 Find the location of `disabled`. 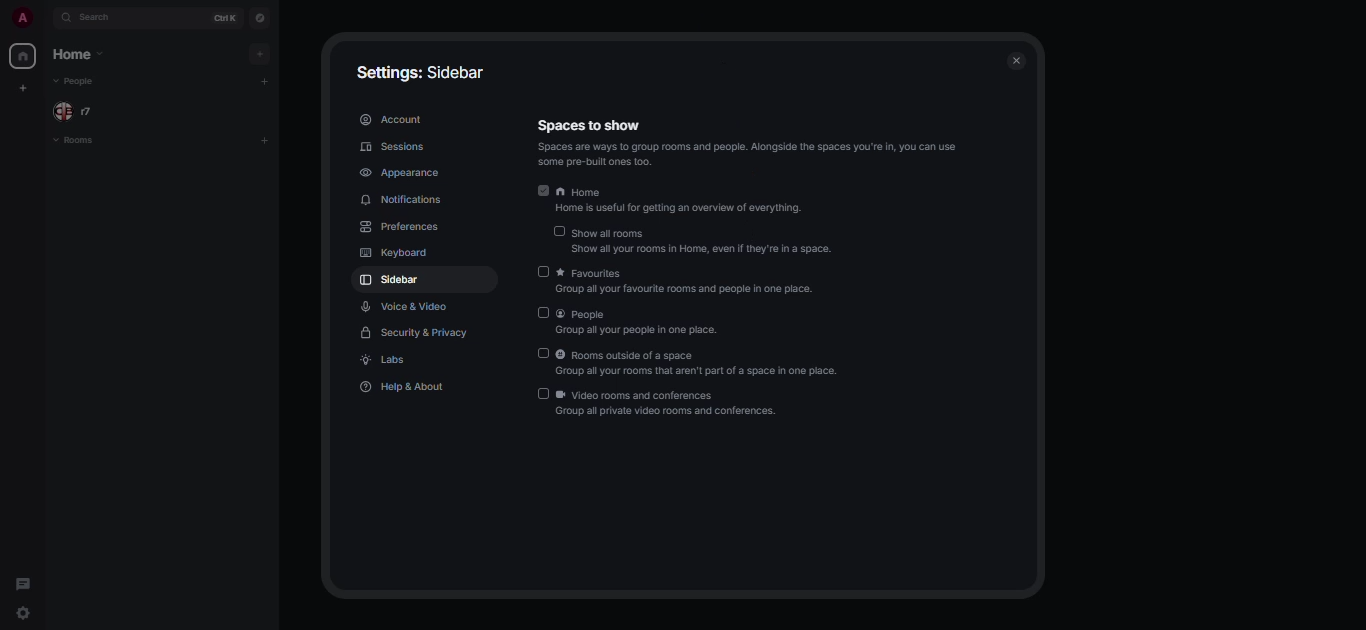

disabled is located at coordinates (543, 313).